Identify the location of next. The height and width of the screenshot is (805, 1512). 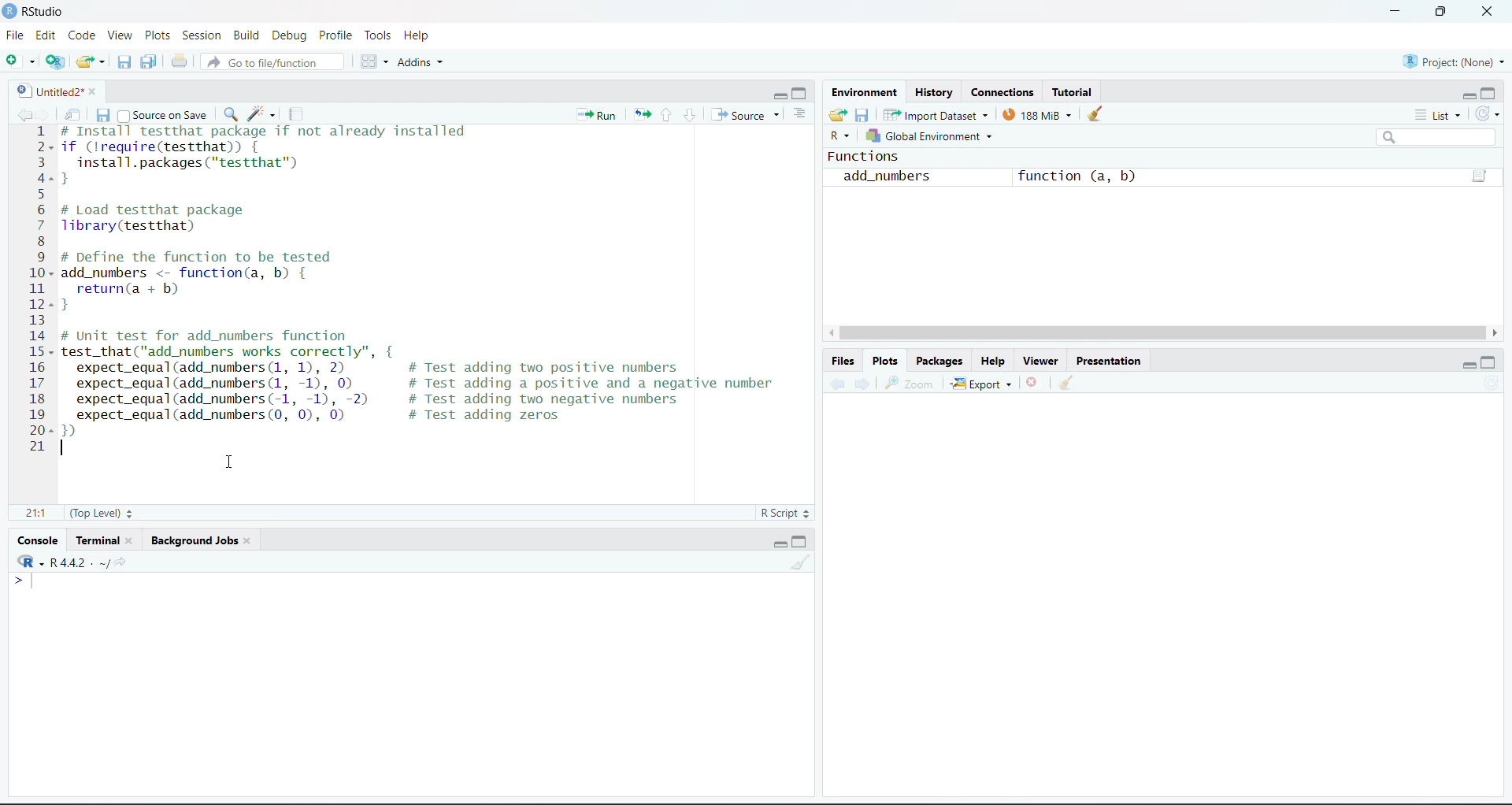
(862, 381).